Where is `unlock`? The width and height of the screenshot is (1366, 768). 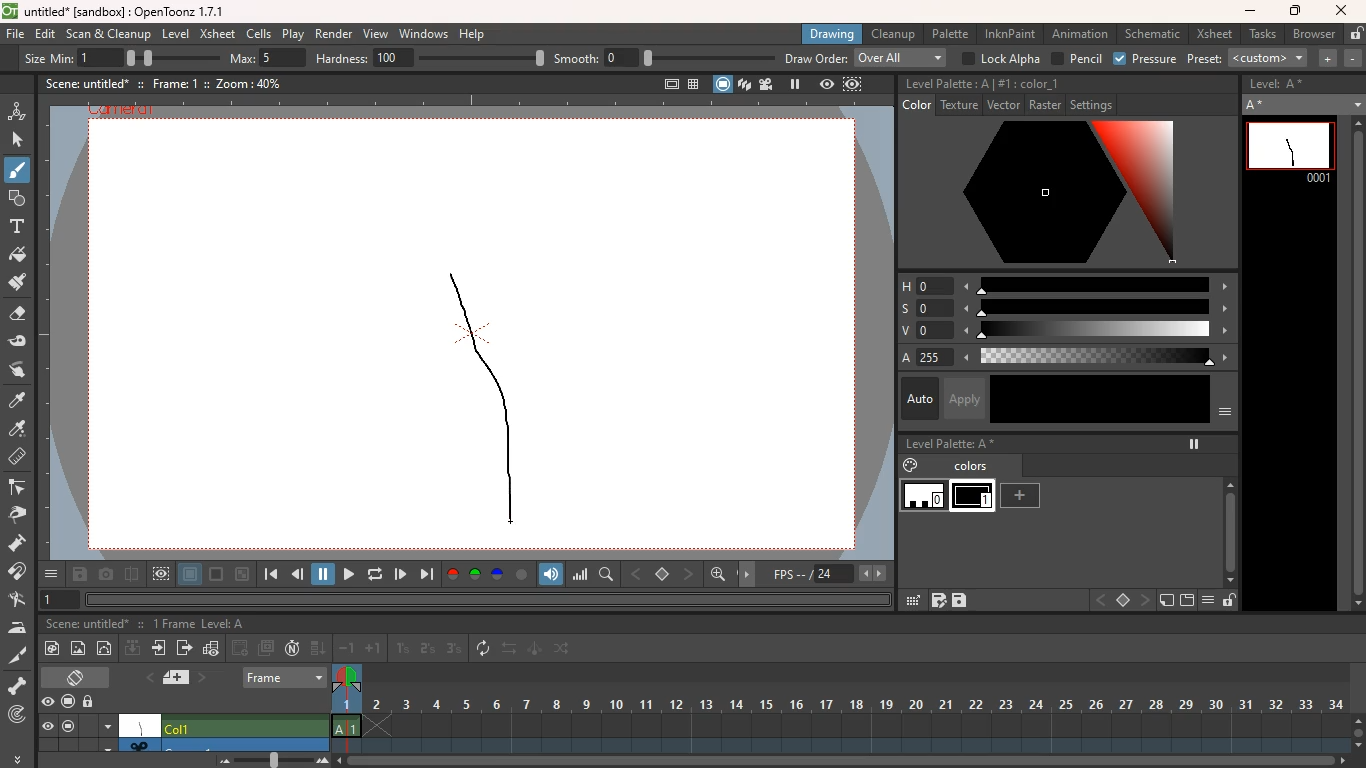
unlock is located at coordinates (92, 701).